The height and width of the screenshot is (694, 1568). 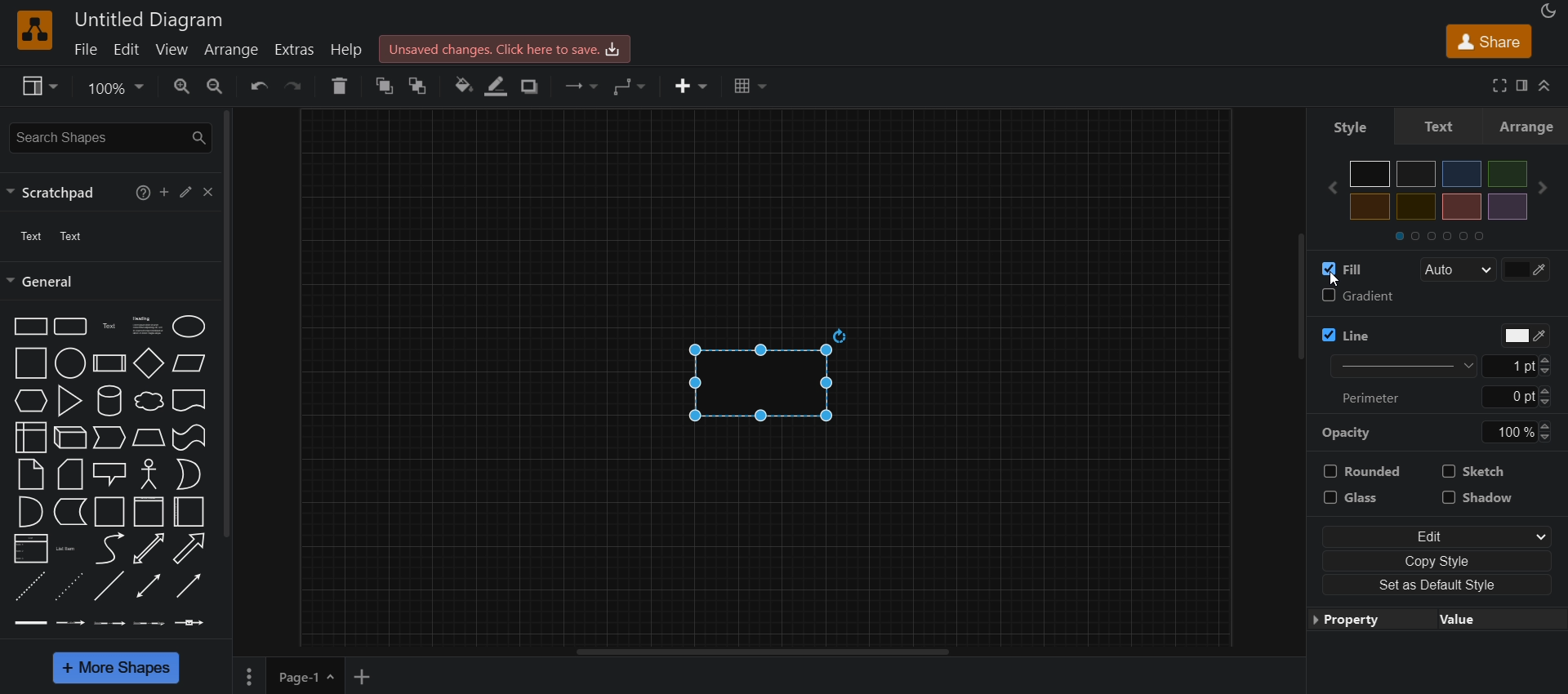 What do you see at coordinates (462, 87) in the screenshot?
I see `fill color` at bounding box center [462, 87].